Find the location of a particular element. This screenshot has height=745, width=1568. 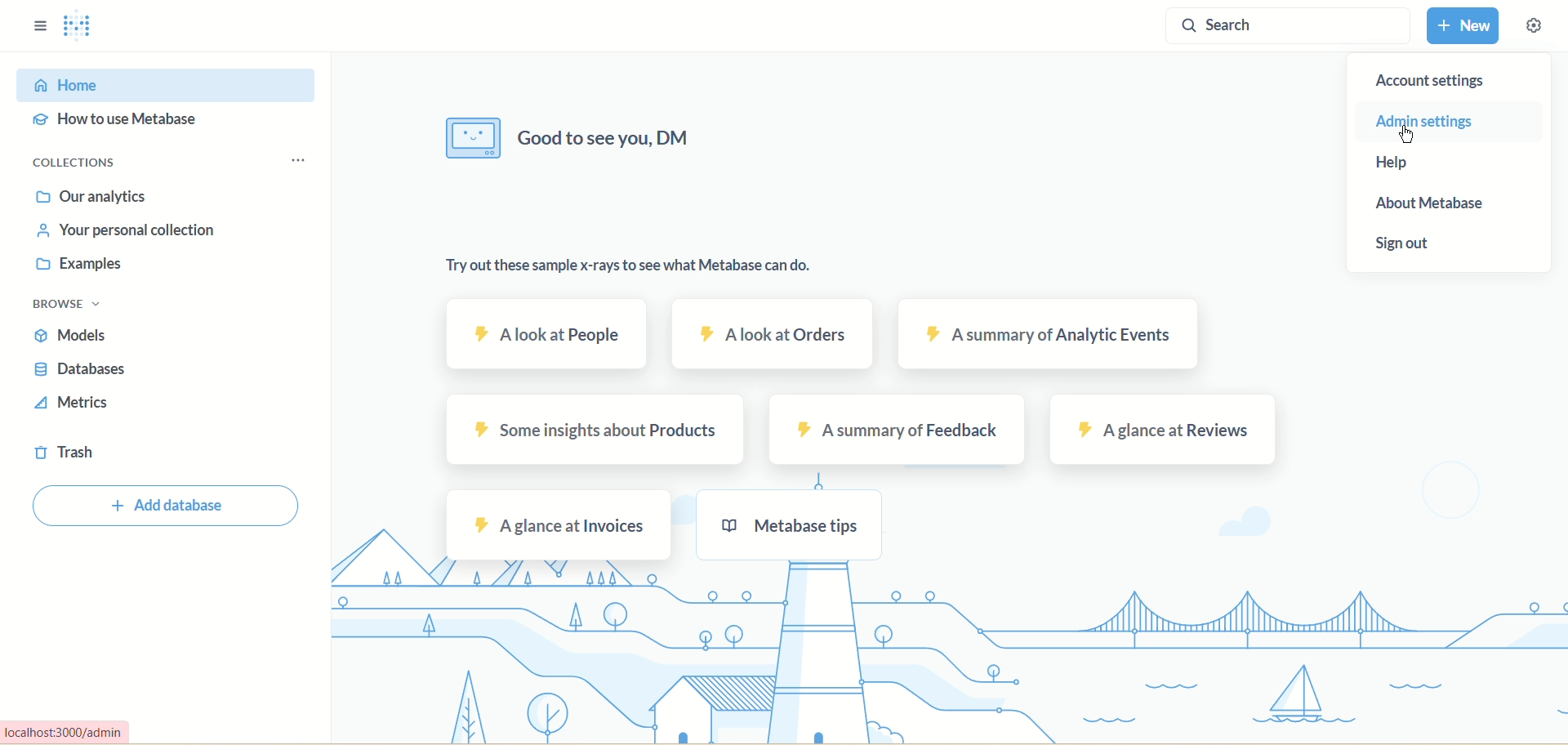

account settings is located at coordinates (1429, 83).